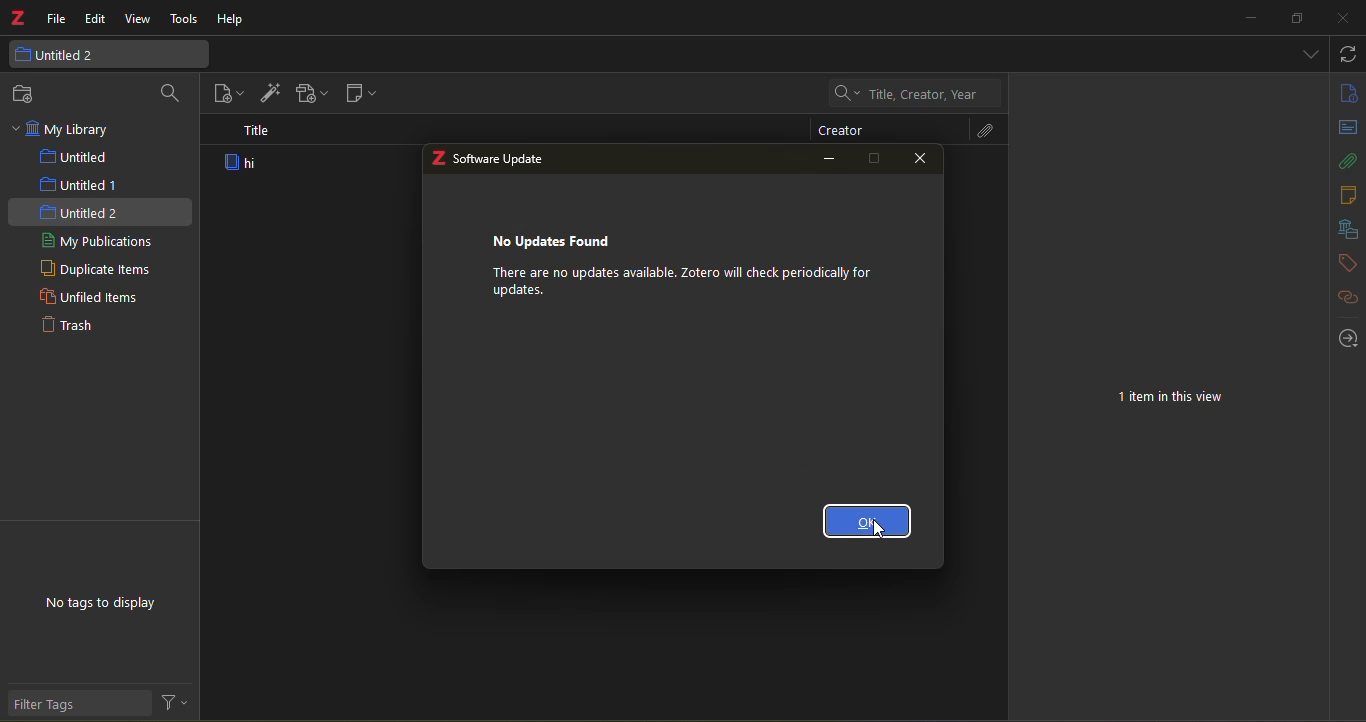  What do you see at coordinates (28, 94) in the screenshot?
I see `new collection` at bounding box center [28, 94].